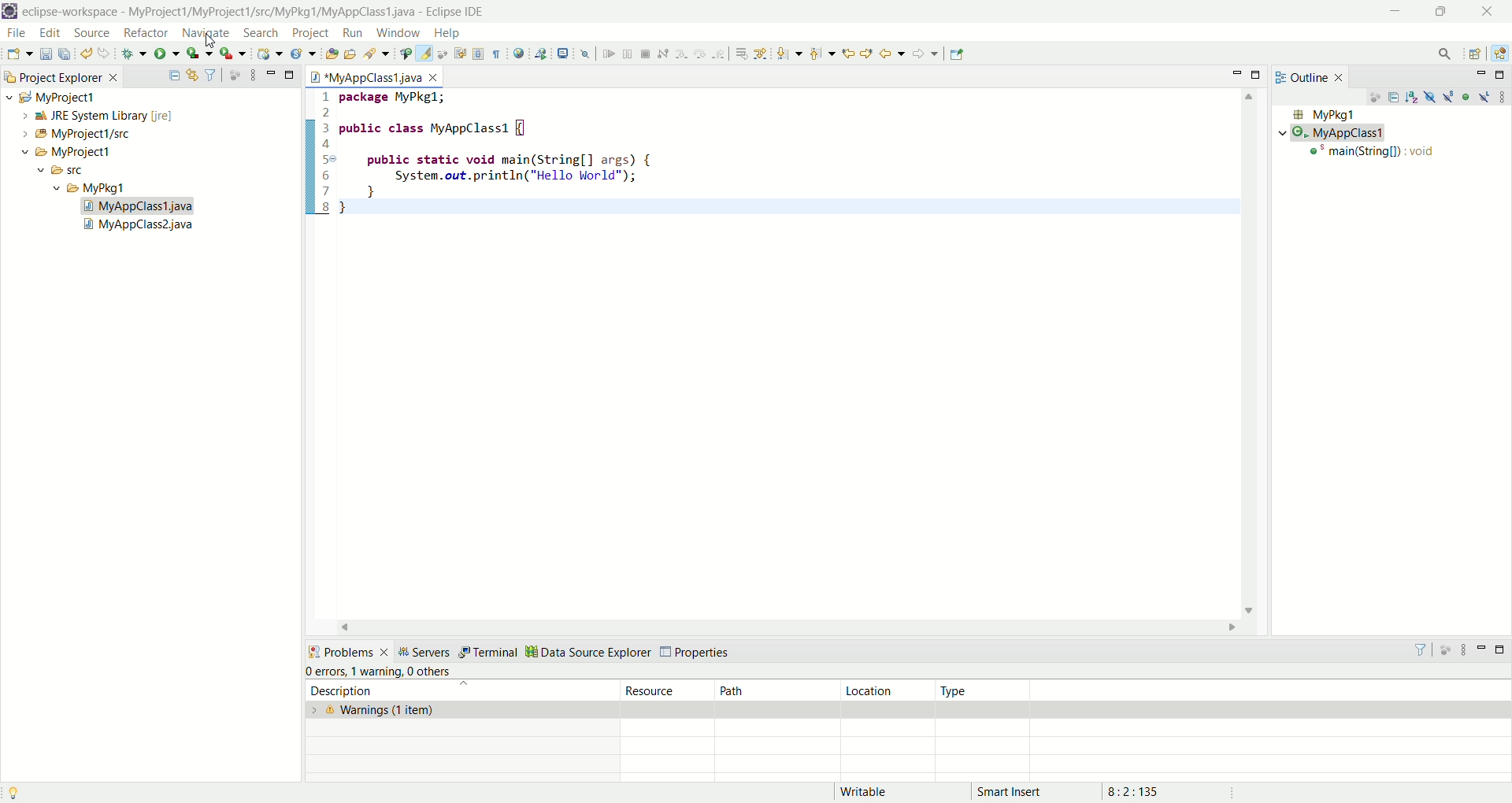  Describe the element at coordinates (587, 650) in the screenshot. I see `data source explorer` at that location.